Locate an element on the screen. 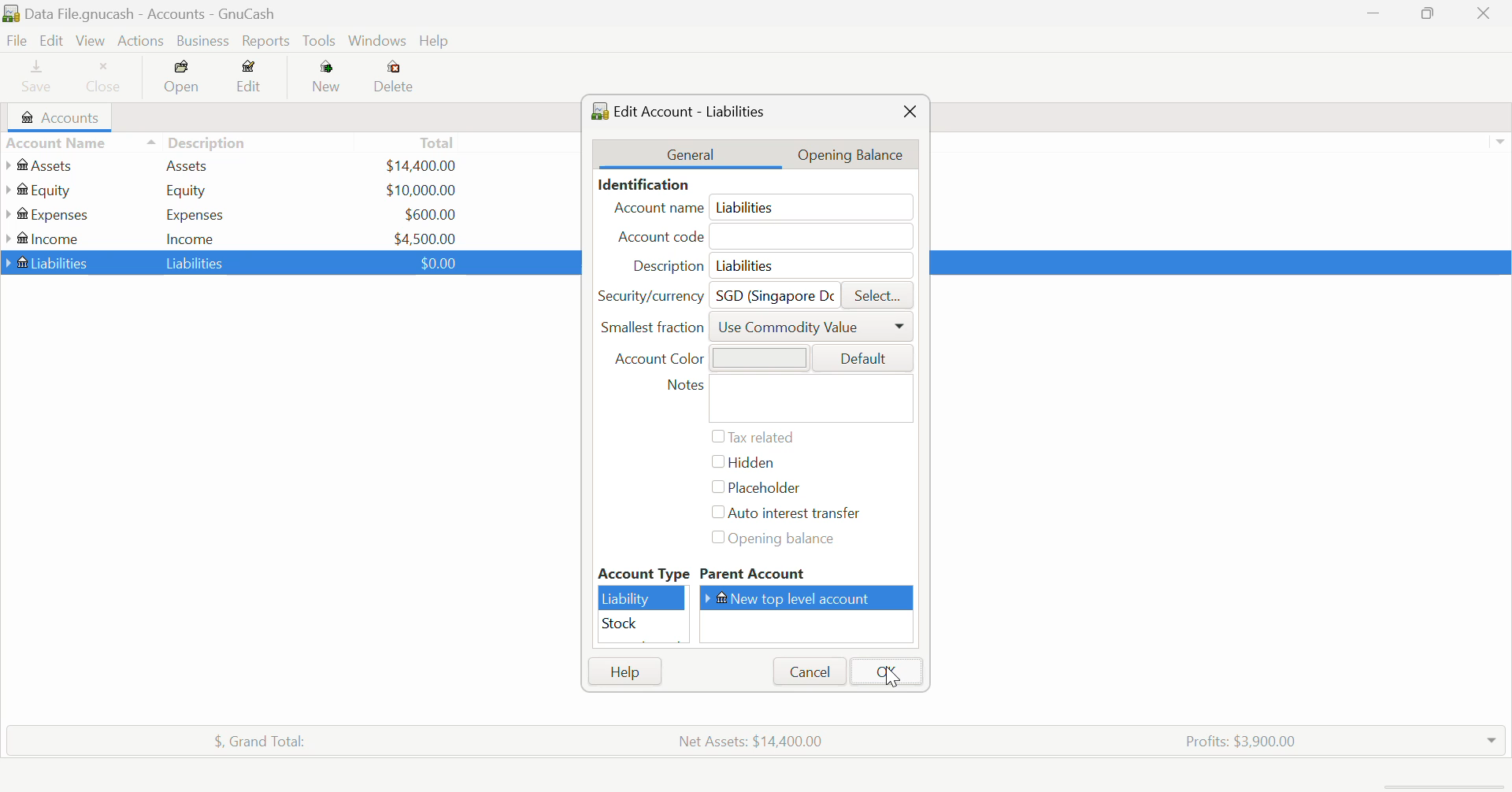 This screenshot has height=792, width=1512. Restore Down is located at coordinates (1374, 15).